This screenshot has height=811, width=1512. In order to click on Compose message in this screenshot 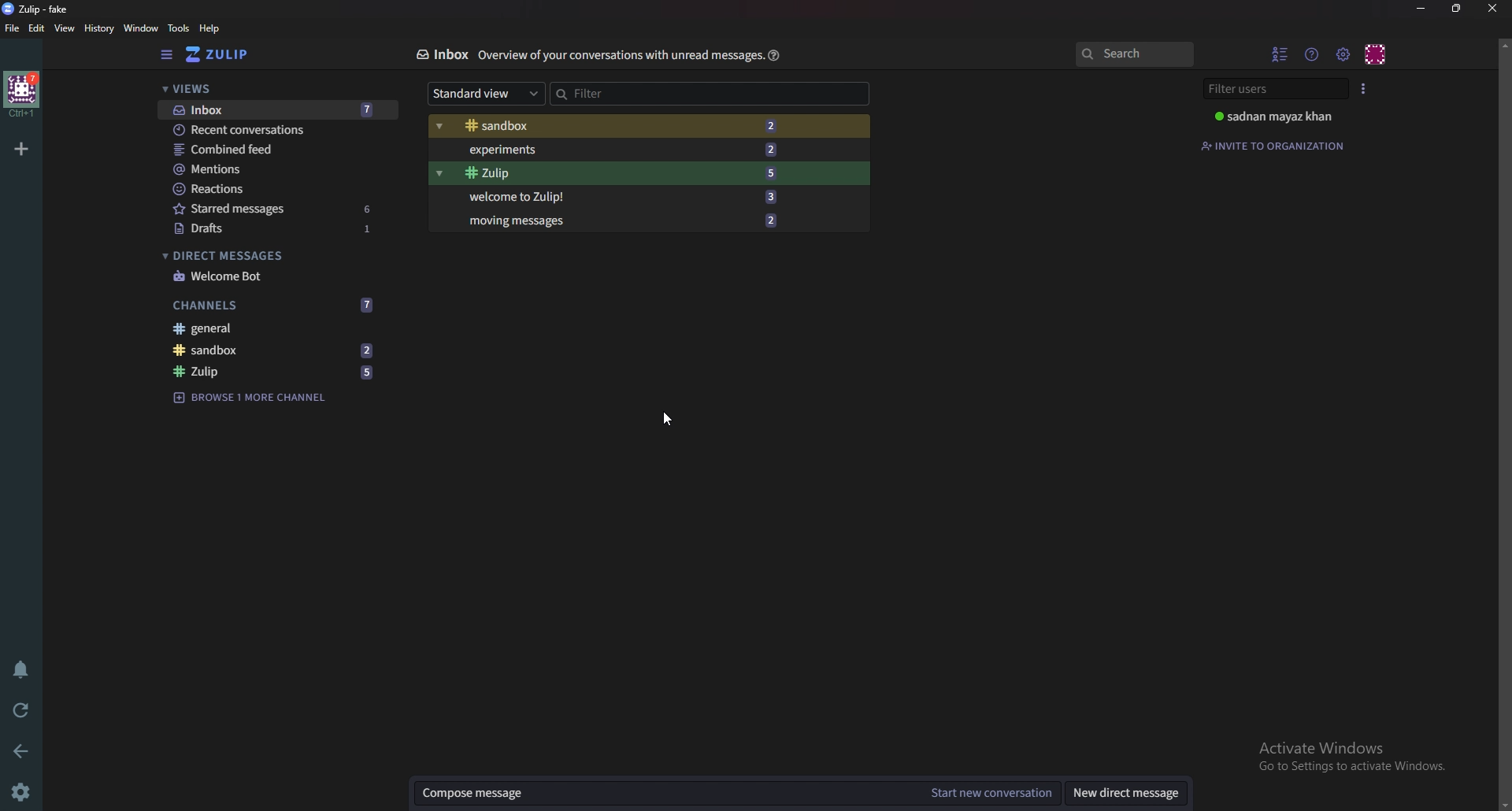, I will do `click(668, 792)`.